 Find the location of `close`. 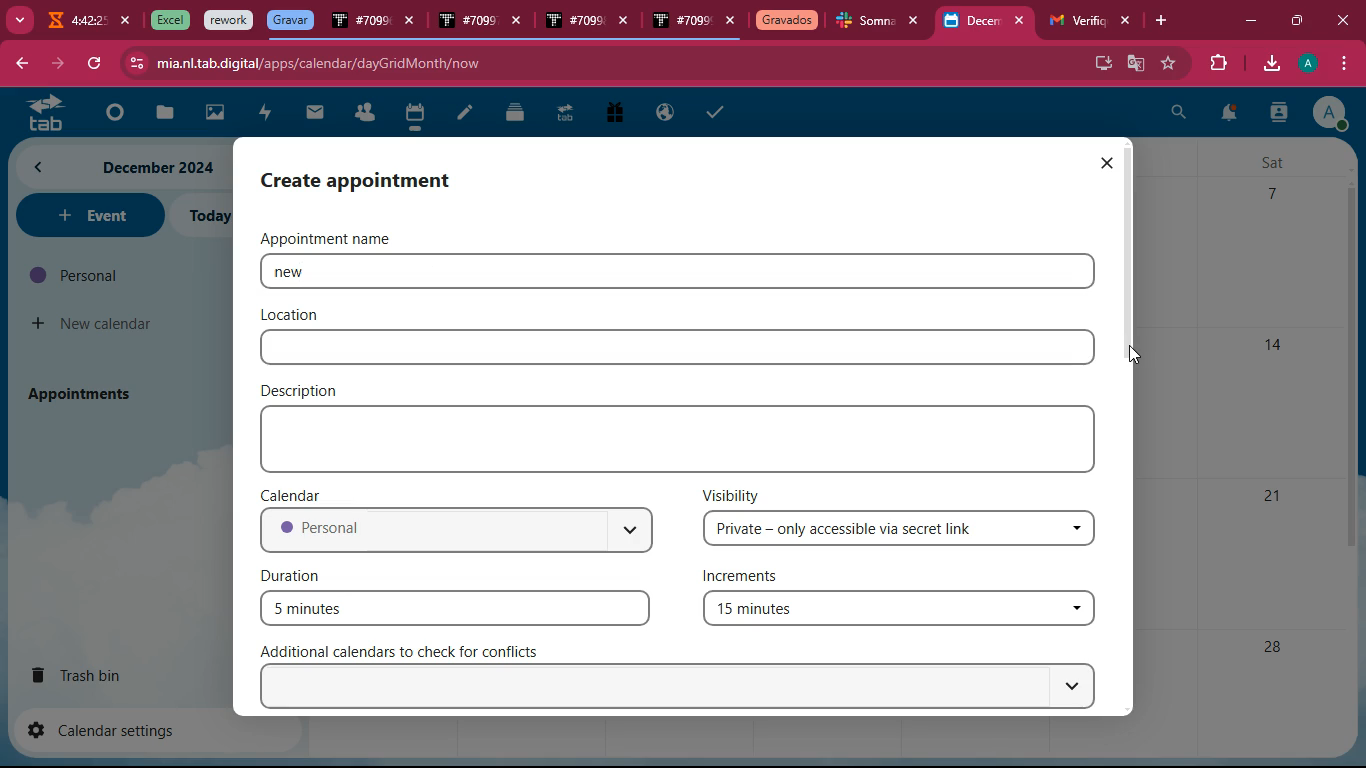

close is located at coordinates (1024, 21).